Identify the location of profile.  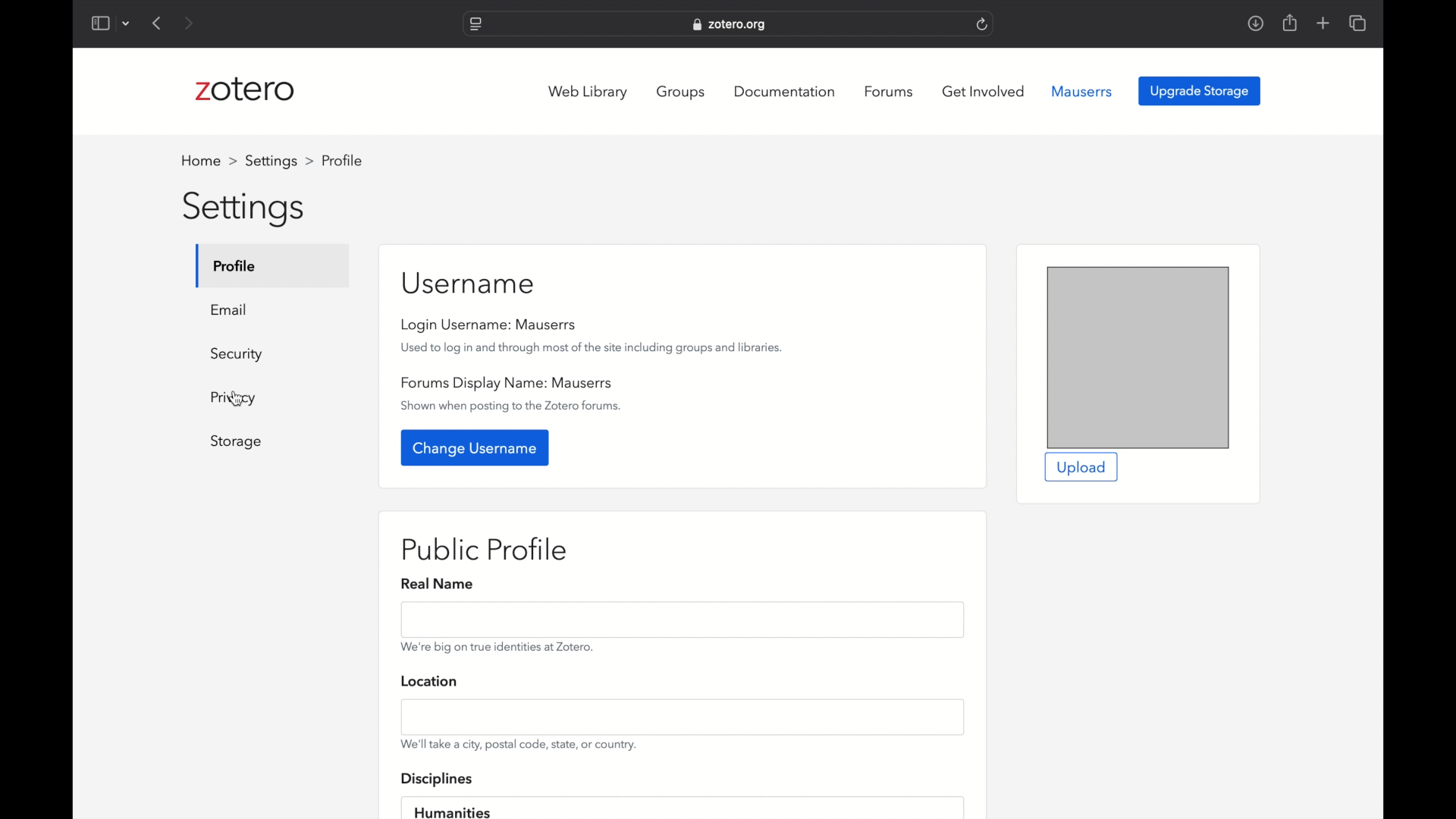
(235, 266).